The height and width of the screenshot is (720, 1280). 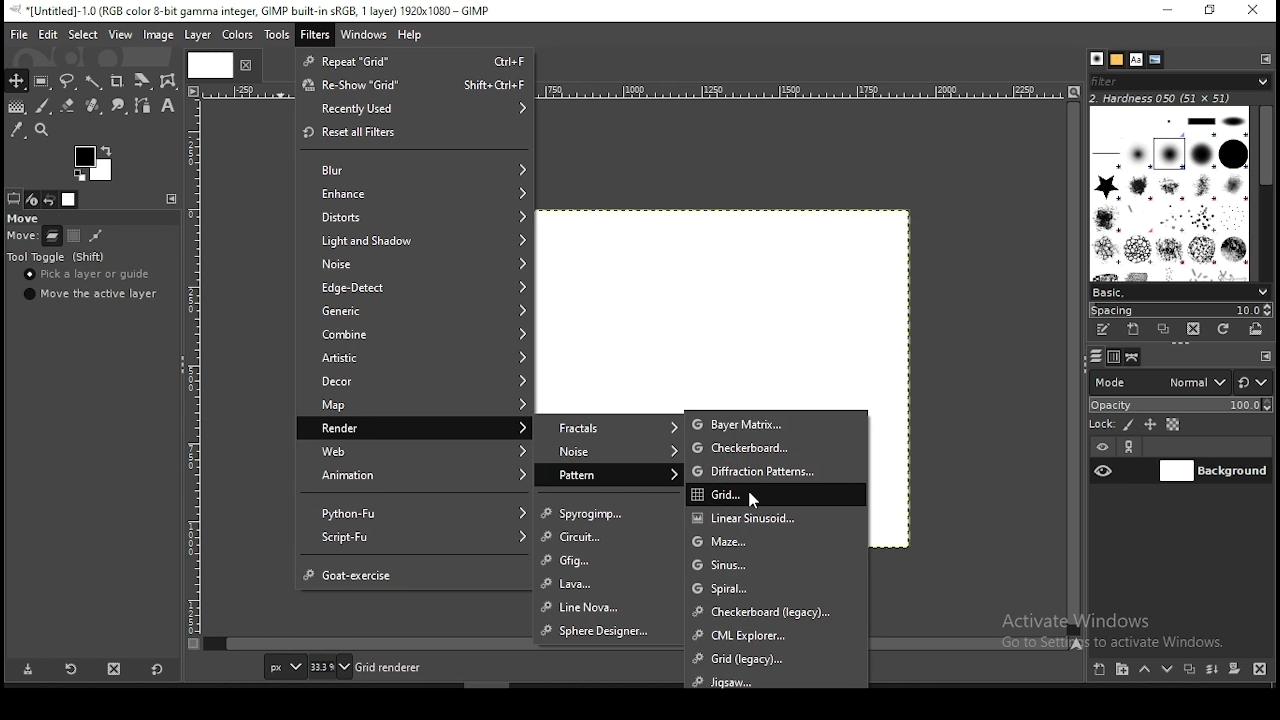 I want to click on document history, so click(x=1155, y=60).